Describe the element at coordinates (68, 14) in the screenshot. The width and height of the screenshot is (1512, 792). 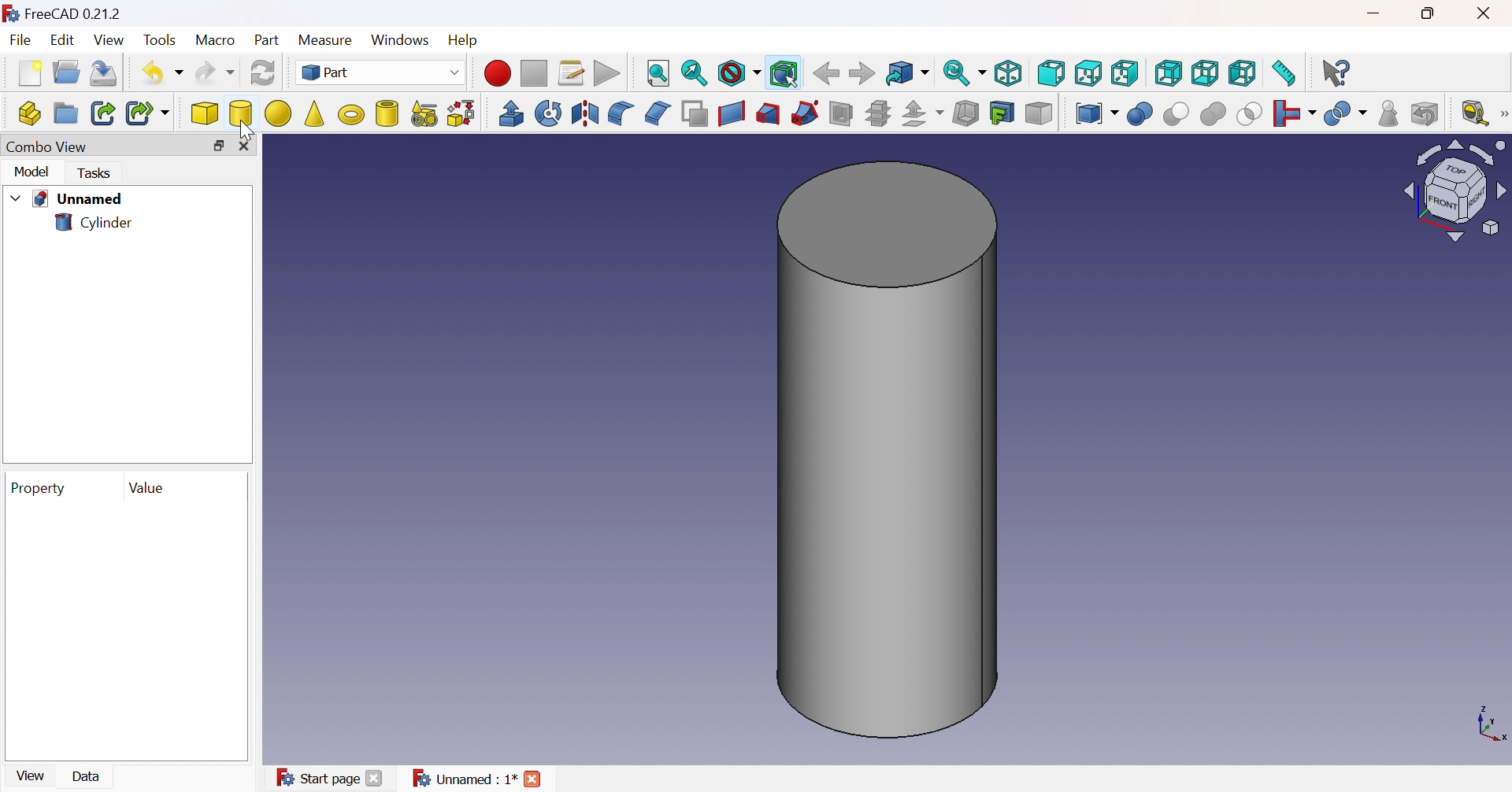
I see `FreeCAD 0.21.2` at that location.